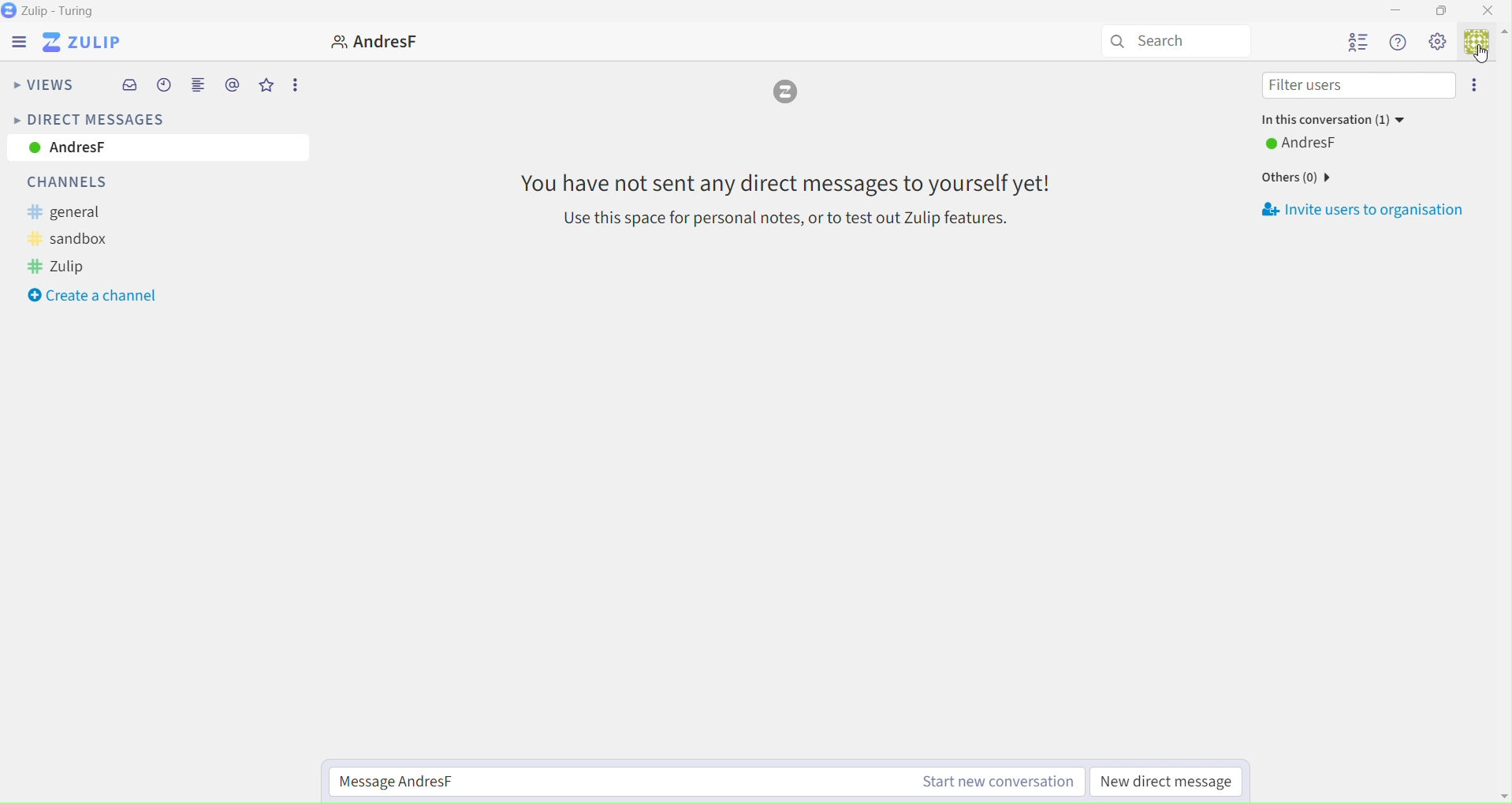 This screenshot has height=803, width=1512. I want to click on minimize, so click(1400, 10).